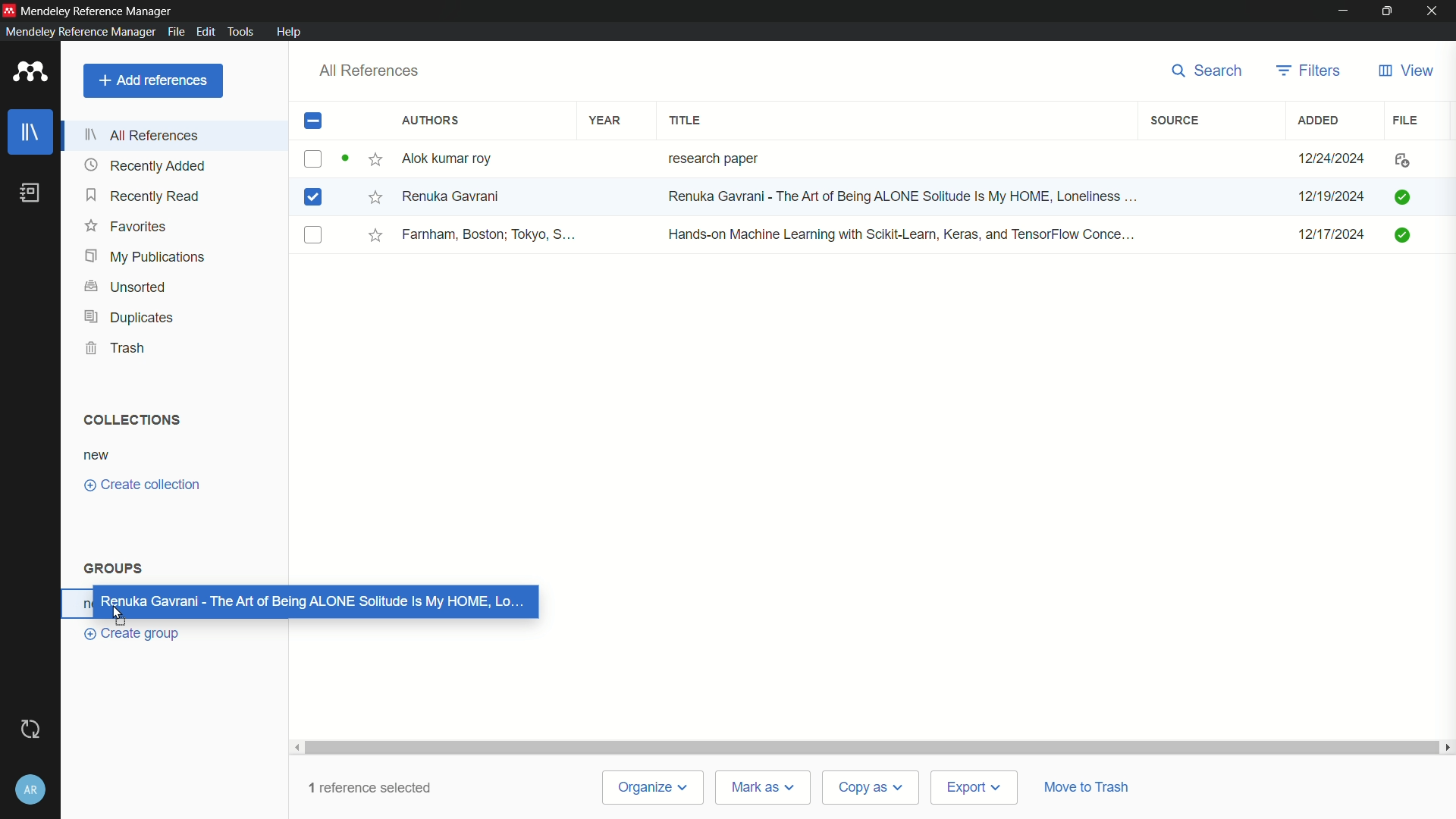 Image resolution: width=1456 pixels, height=819 pixels. What do you see at coordinates (290, 32) in the screenshot?
I see `help menu` at bounding box center [290, 32].